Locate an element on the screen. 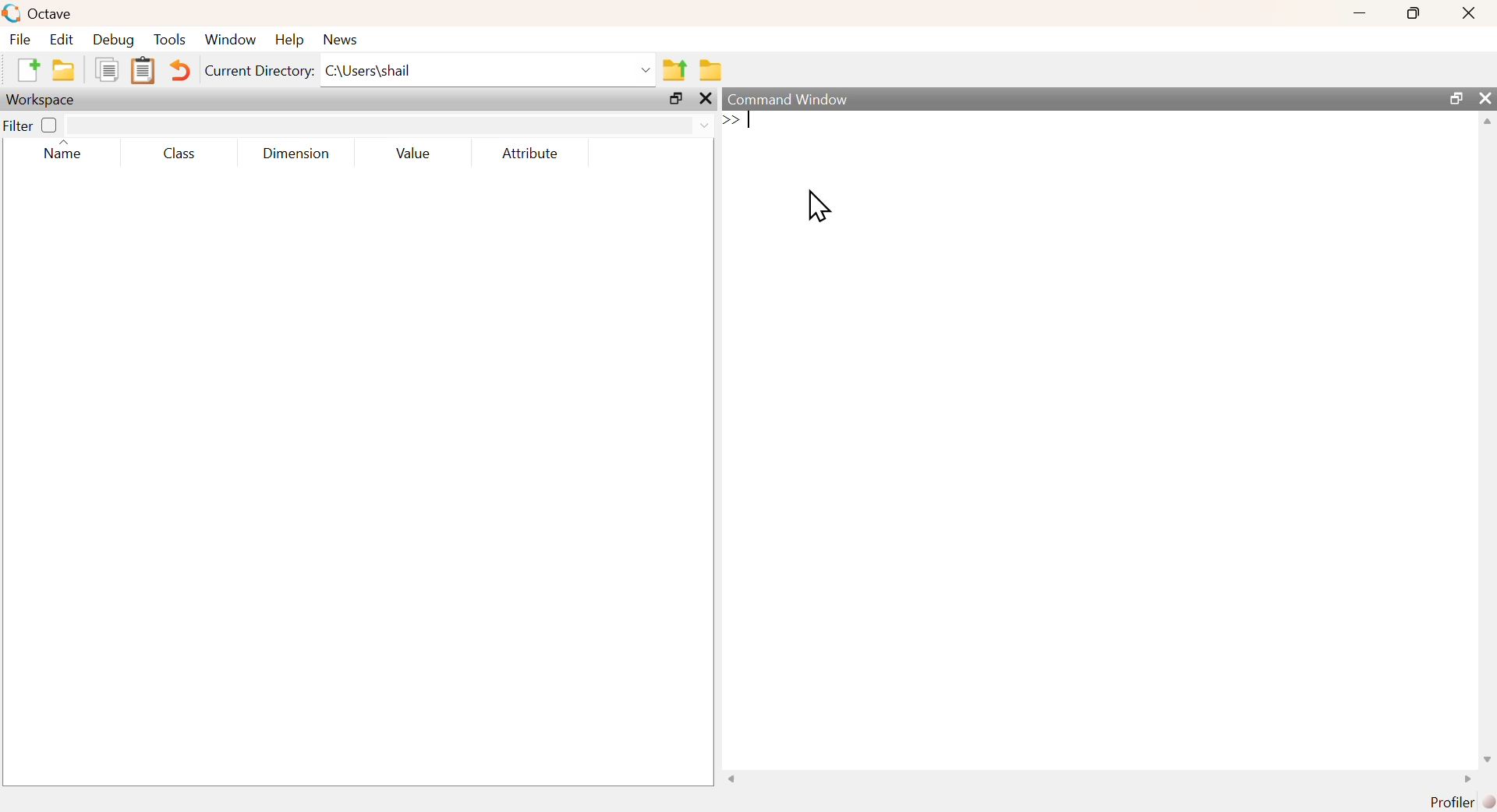 This screenshot has width=1497, height=812. Window is located at coordinates (231, 40).